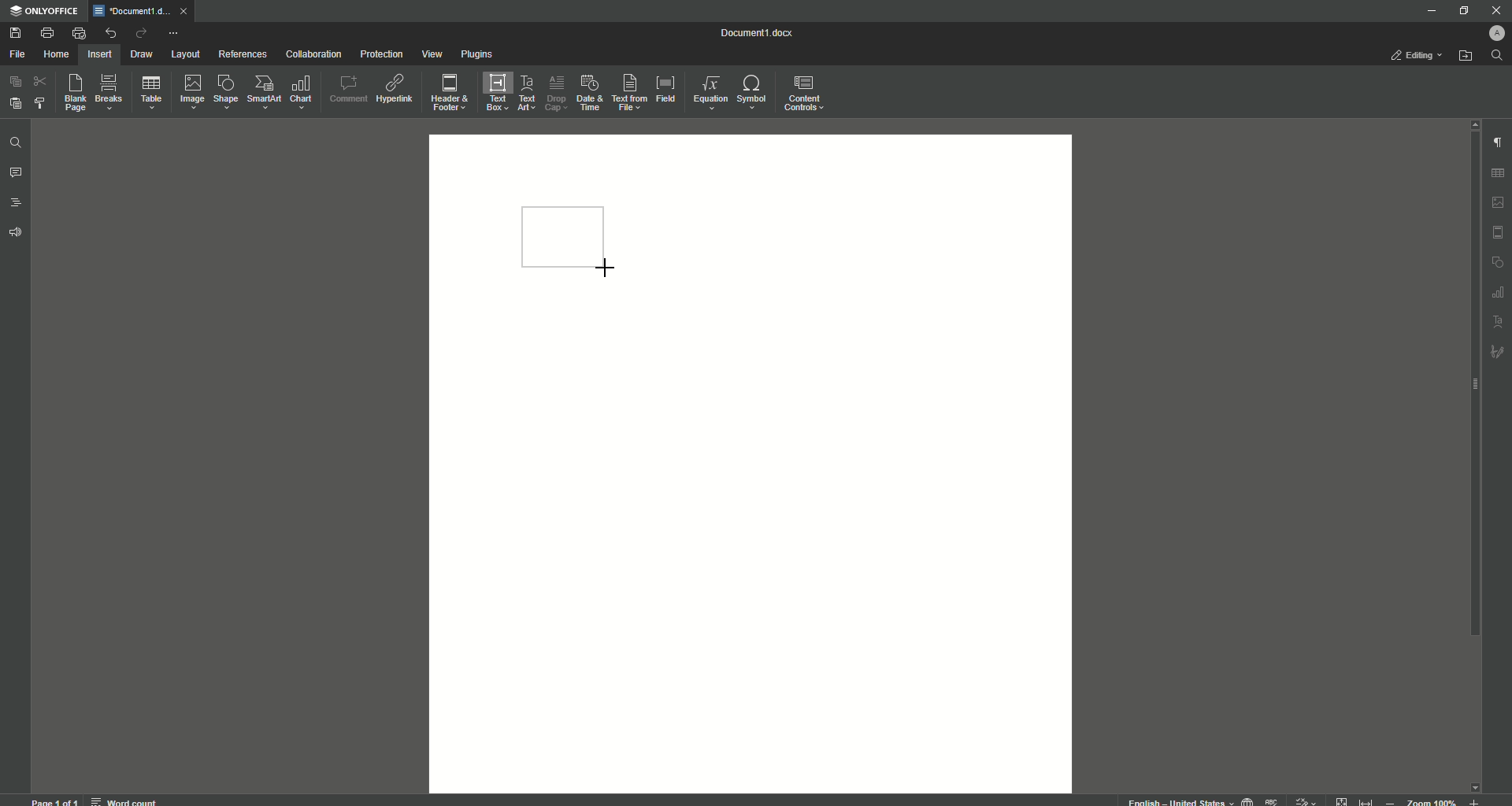  What do you see at coordinates (1498, 353) in the screenshot?
I see `signature` at bounding box center [1498, 353].